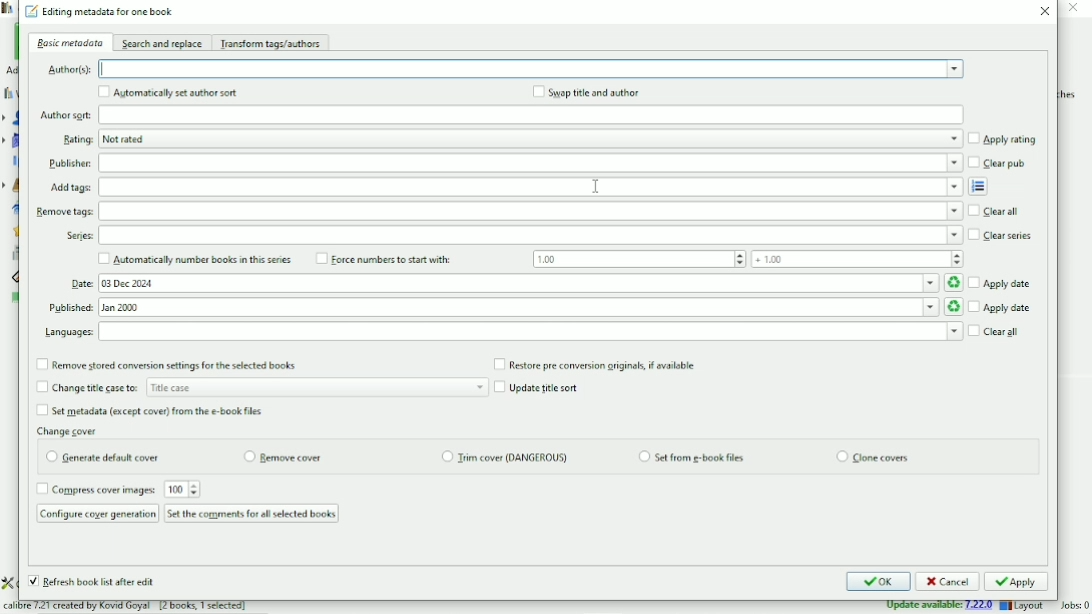 The height and width of the screenshot is (614, 1092). What do you see at coordinates (1016, 581) in the screenshot?
I see `Apply` at bounding box center [1016, 581].